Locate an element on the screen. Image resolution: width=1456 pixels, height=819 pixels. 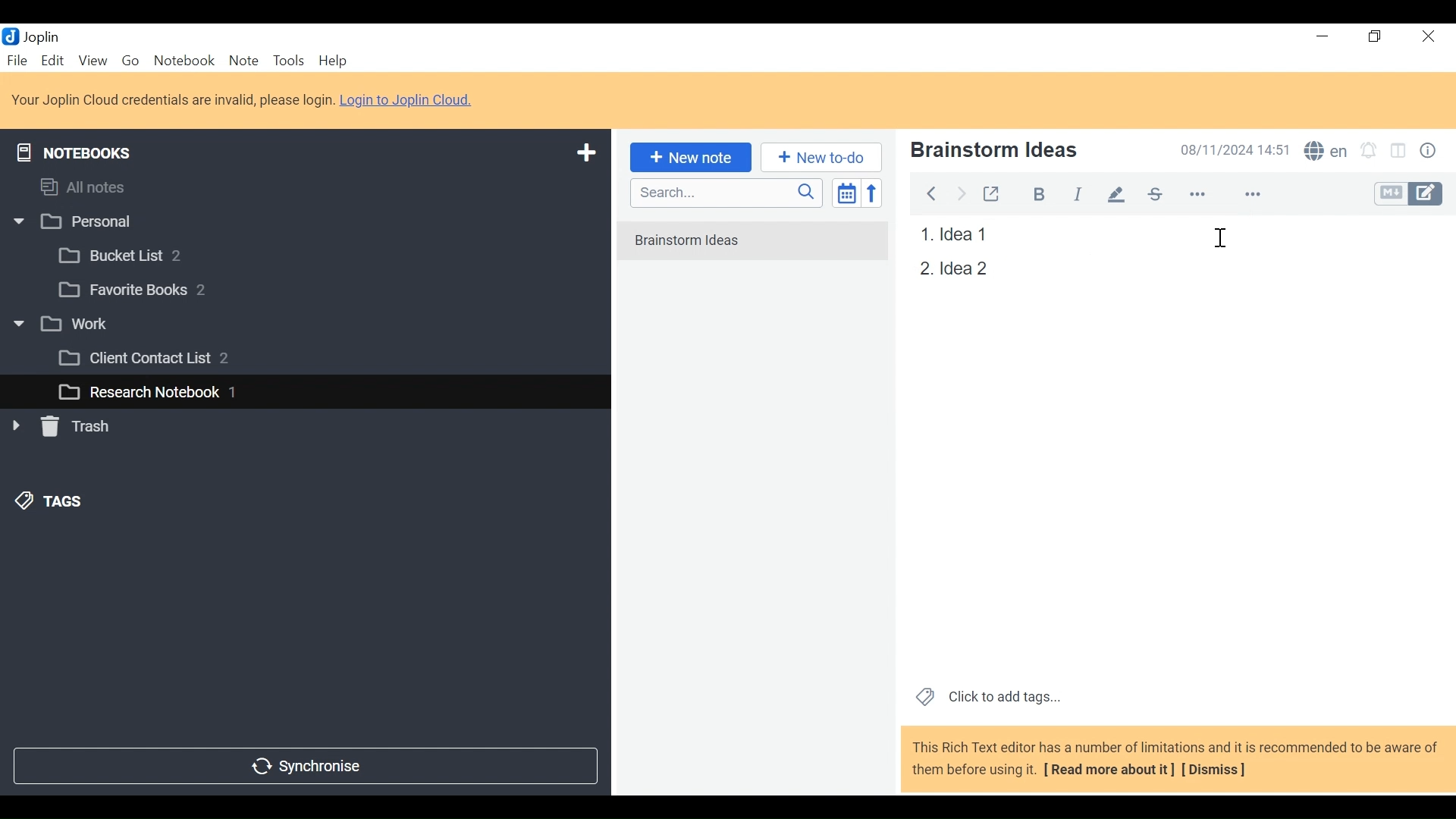
w |] Personal is located at coordinates (81, 223).